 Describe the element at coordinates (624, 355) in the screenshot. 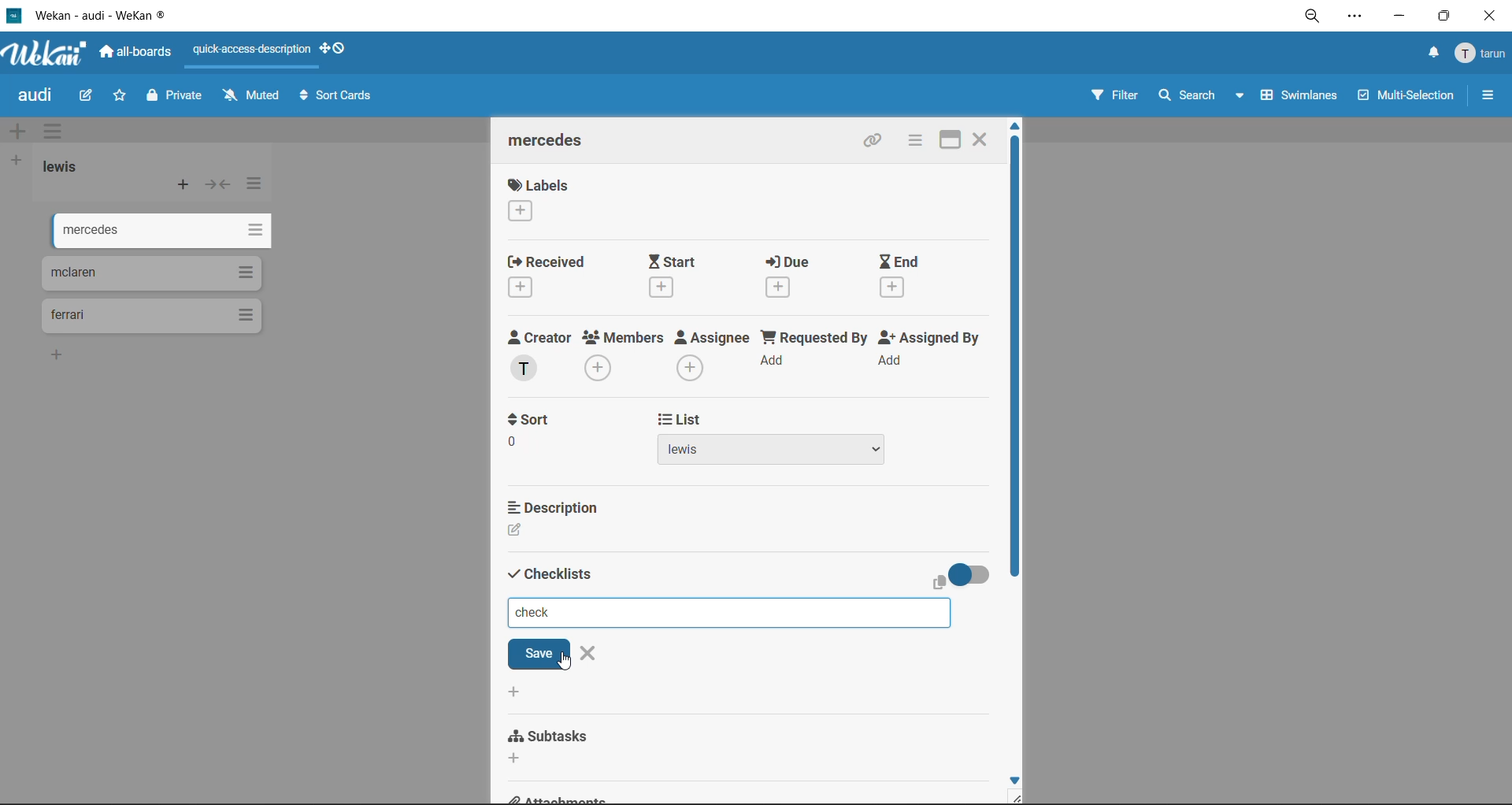

I see `members` at that location.